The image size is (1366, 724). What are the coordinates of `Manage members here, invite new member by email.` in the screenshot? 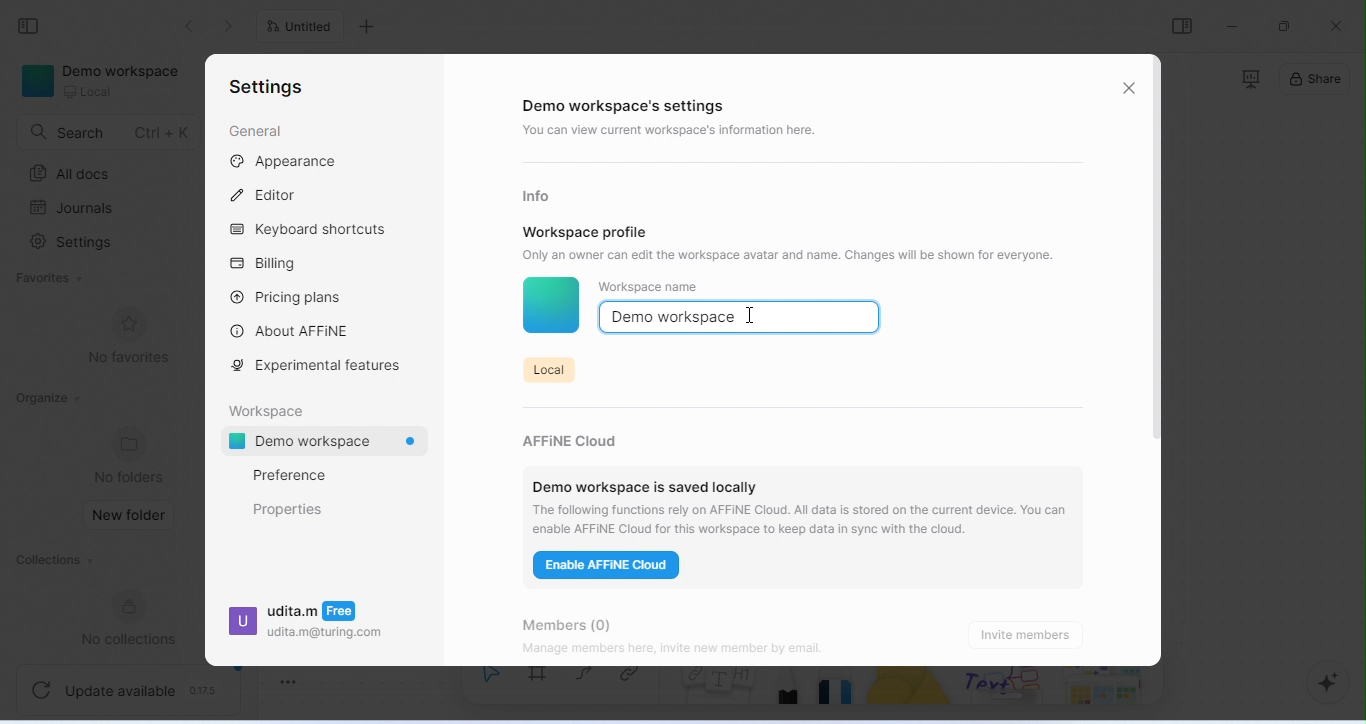 It's located at (714, 650).